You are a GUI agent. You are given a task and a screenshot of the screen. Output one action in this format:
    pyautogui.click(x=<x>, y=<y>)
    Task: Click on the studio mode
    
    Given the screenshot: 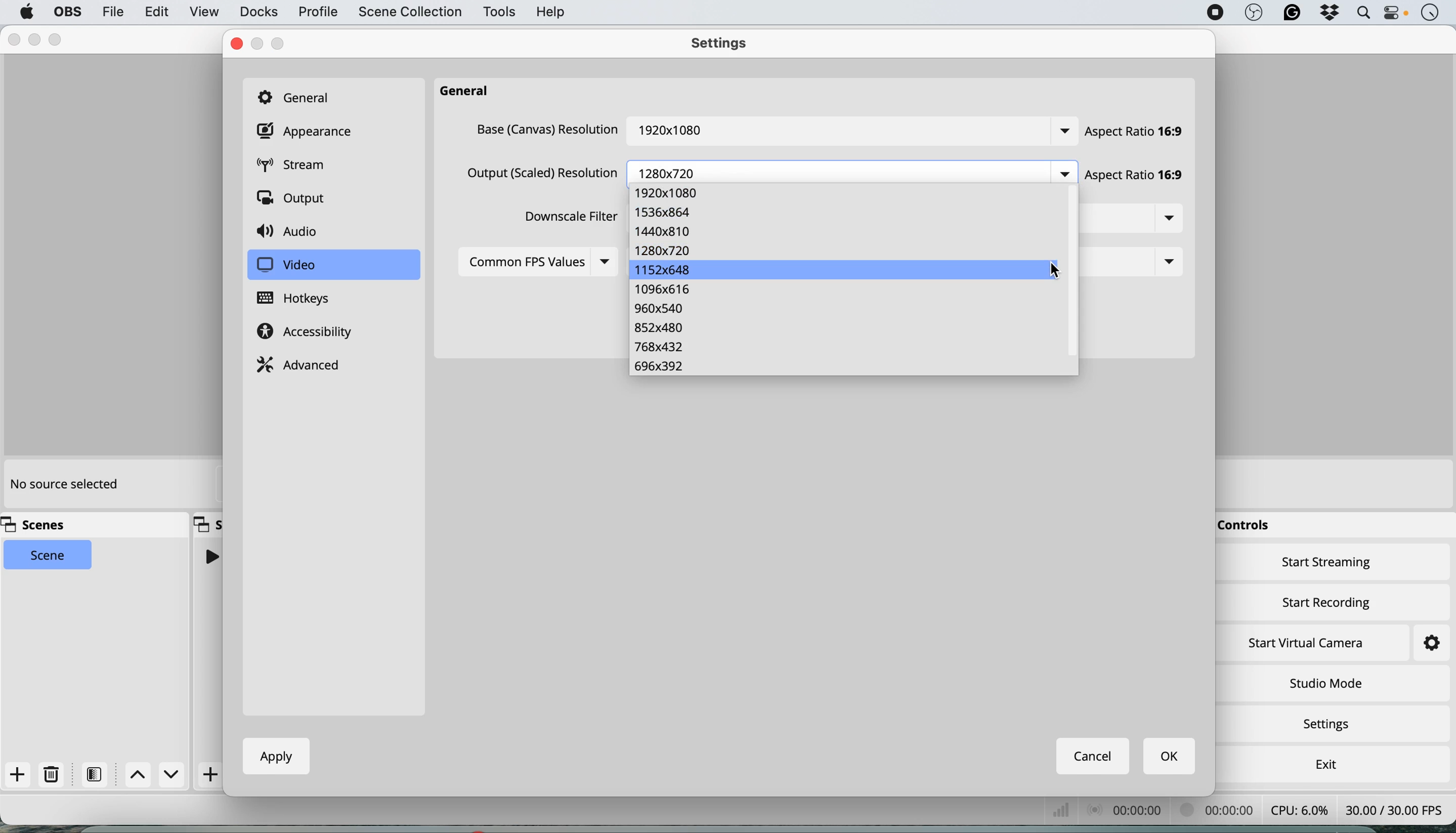 What is the action you would take?
    pyautogui.click(x=1325, y=683)
    